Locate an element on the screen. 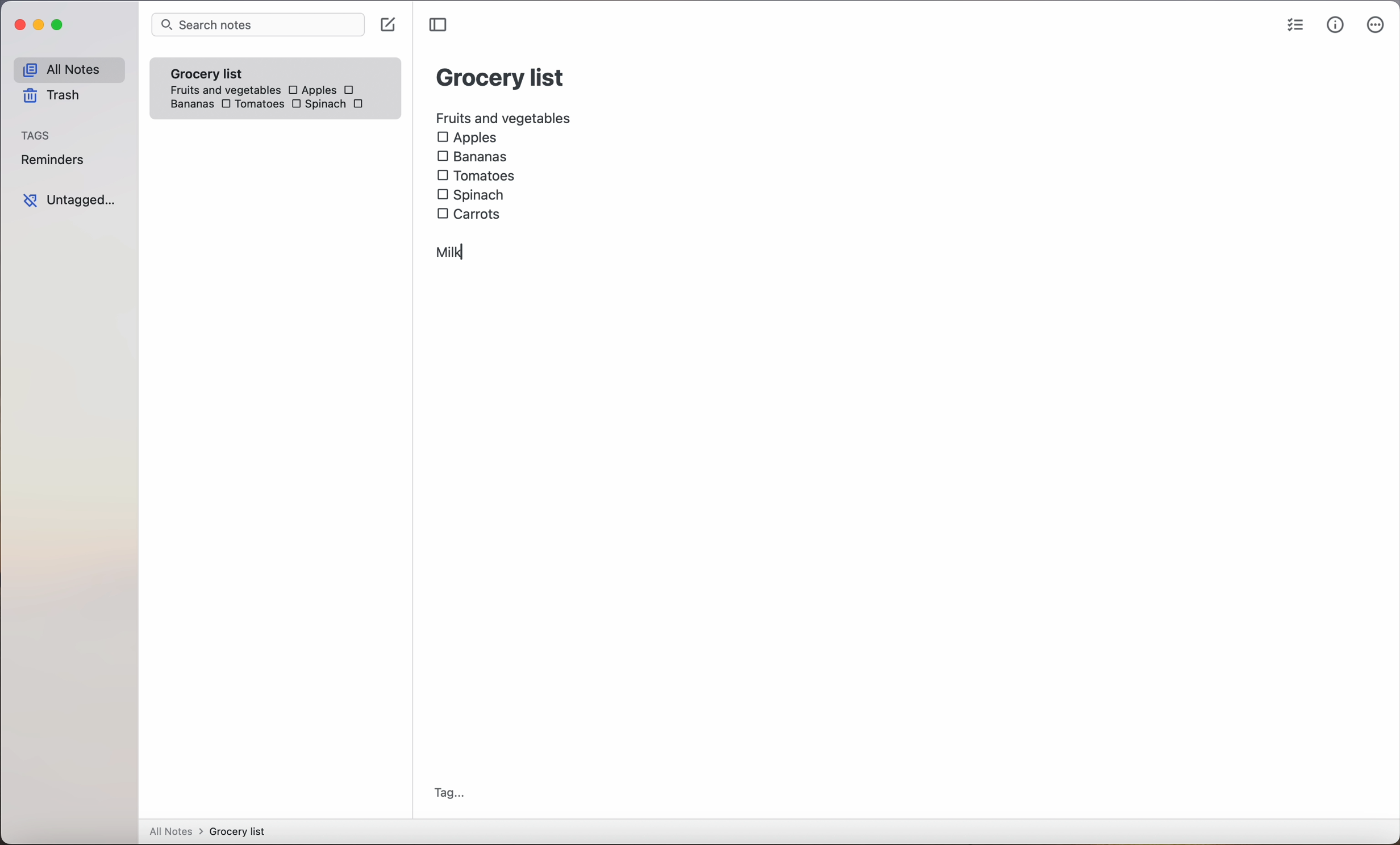  all notes > grocery list is located at coordinates (212, 833).